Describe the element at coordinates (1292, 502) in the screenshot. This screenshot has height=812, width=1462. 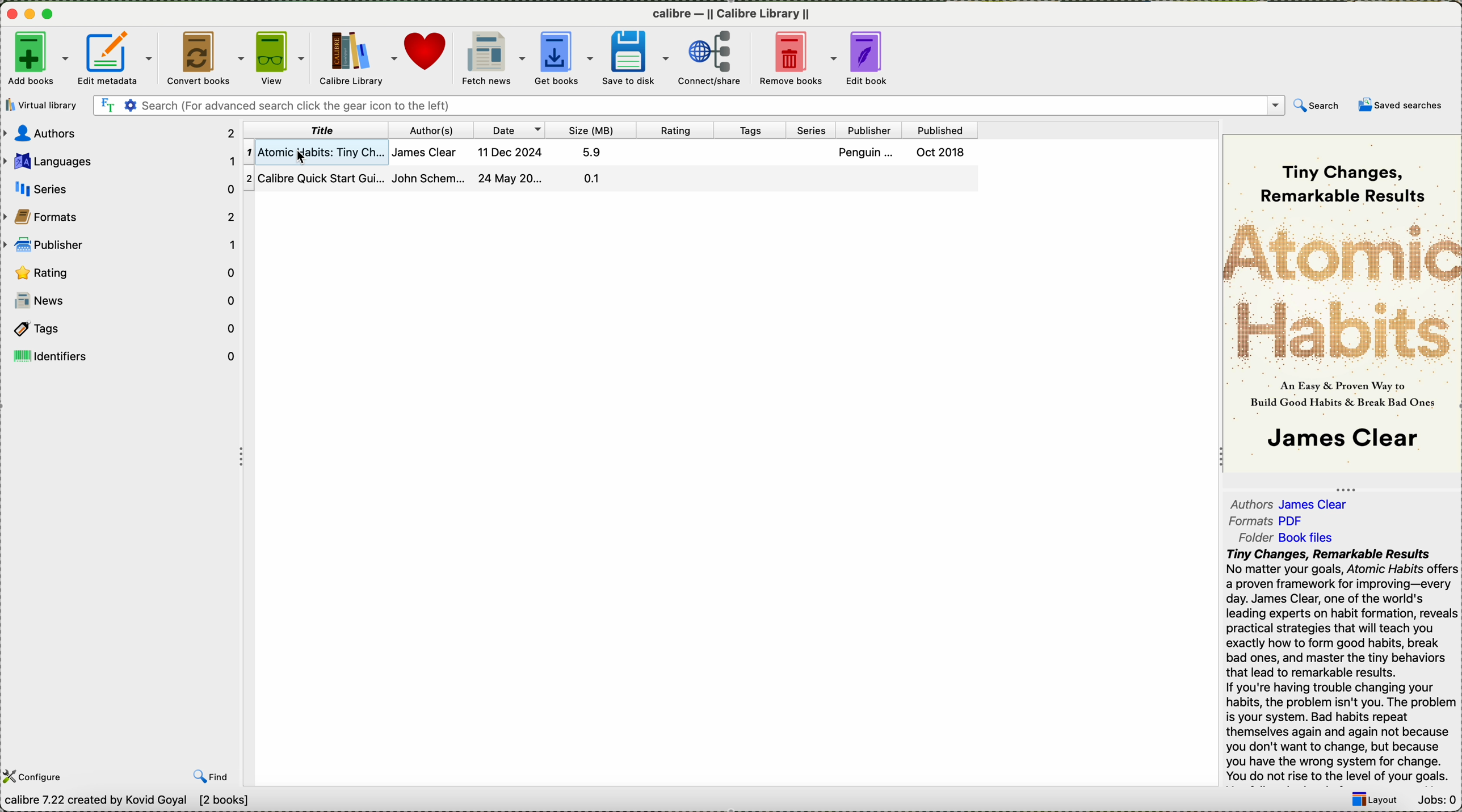
I see `Authors James Clear` at that location.